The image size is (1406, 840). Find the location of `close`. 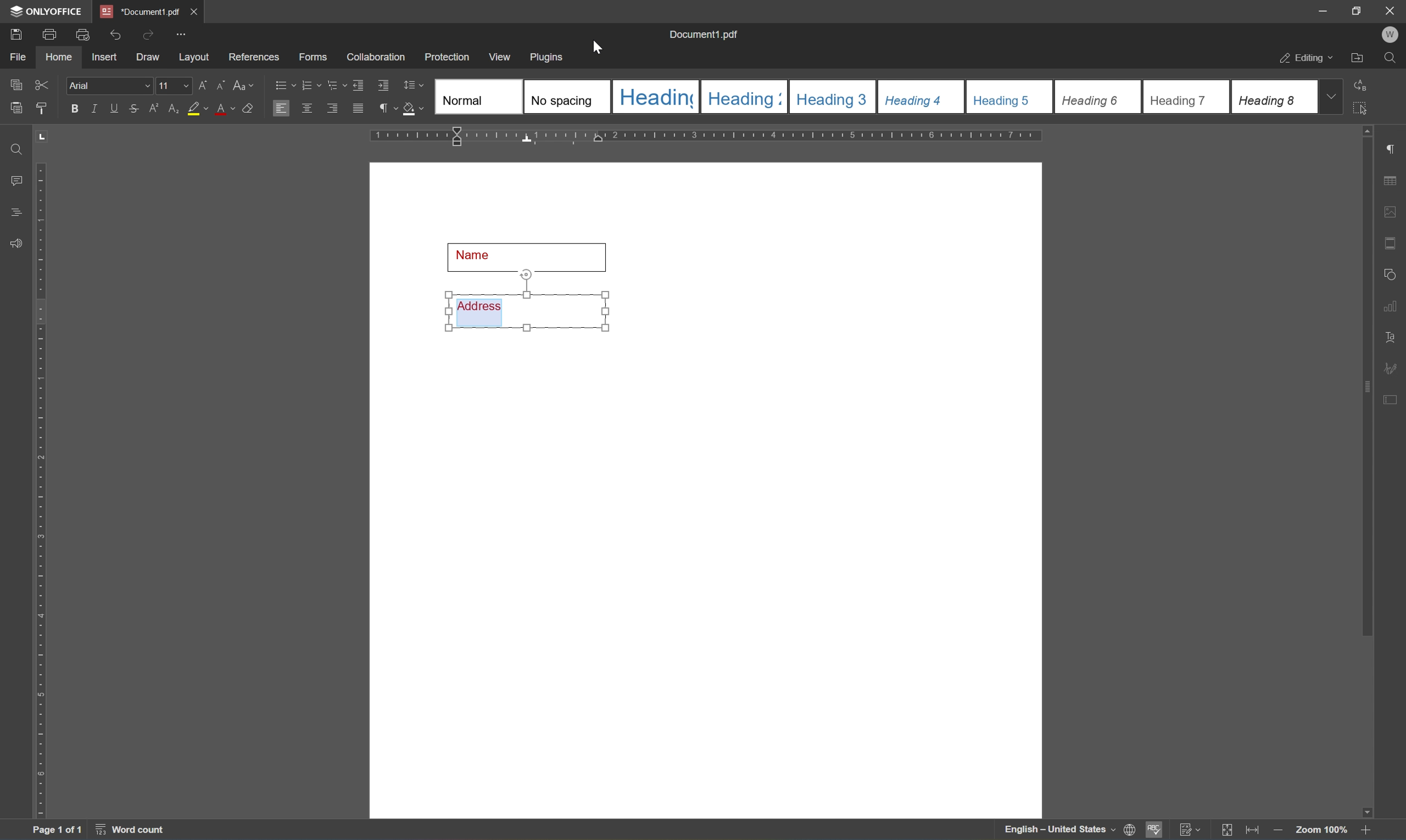

close is located at coordinates (196, 9).